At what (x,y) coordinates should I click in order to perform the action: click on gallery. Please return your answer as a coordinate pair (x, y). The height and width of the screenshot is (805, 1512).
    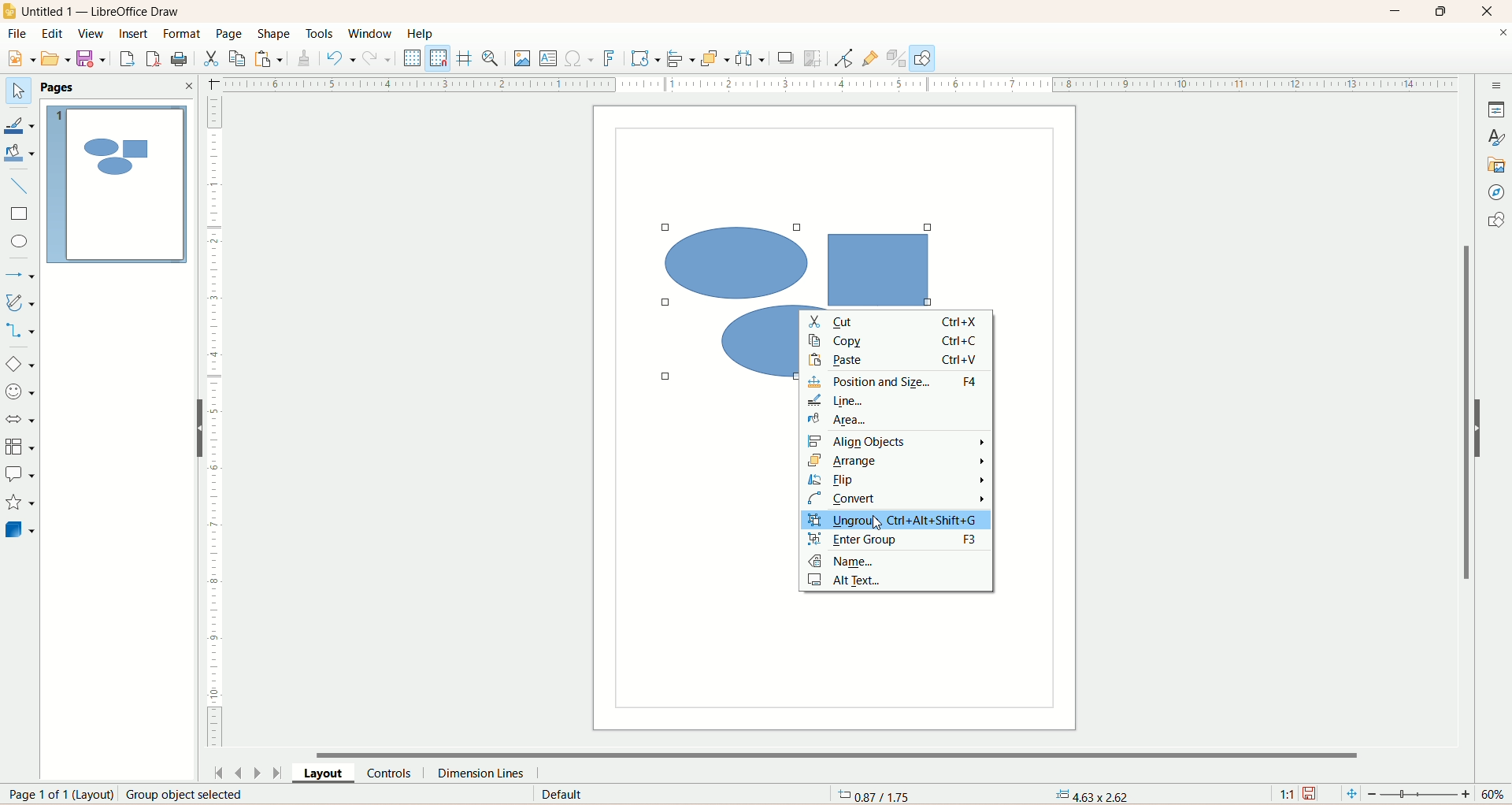
    Looking at the image, I should click on (1498, 165).